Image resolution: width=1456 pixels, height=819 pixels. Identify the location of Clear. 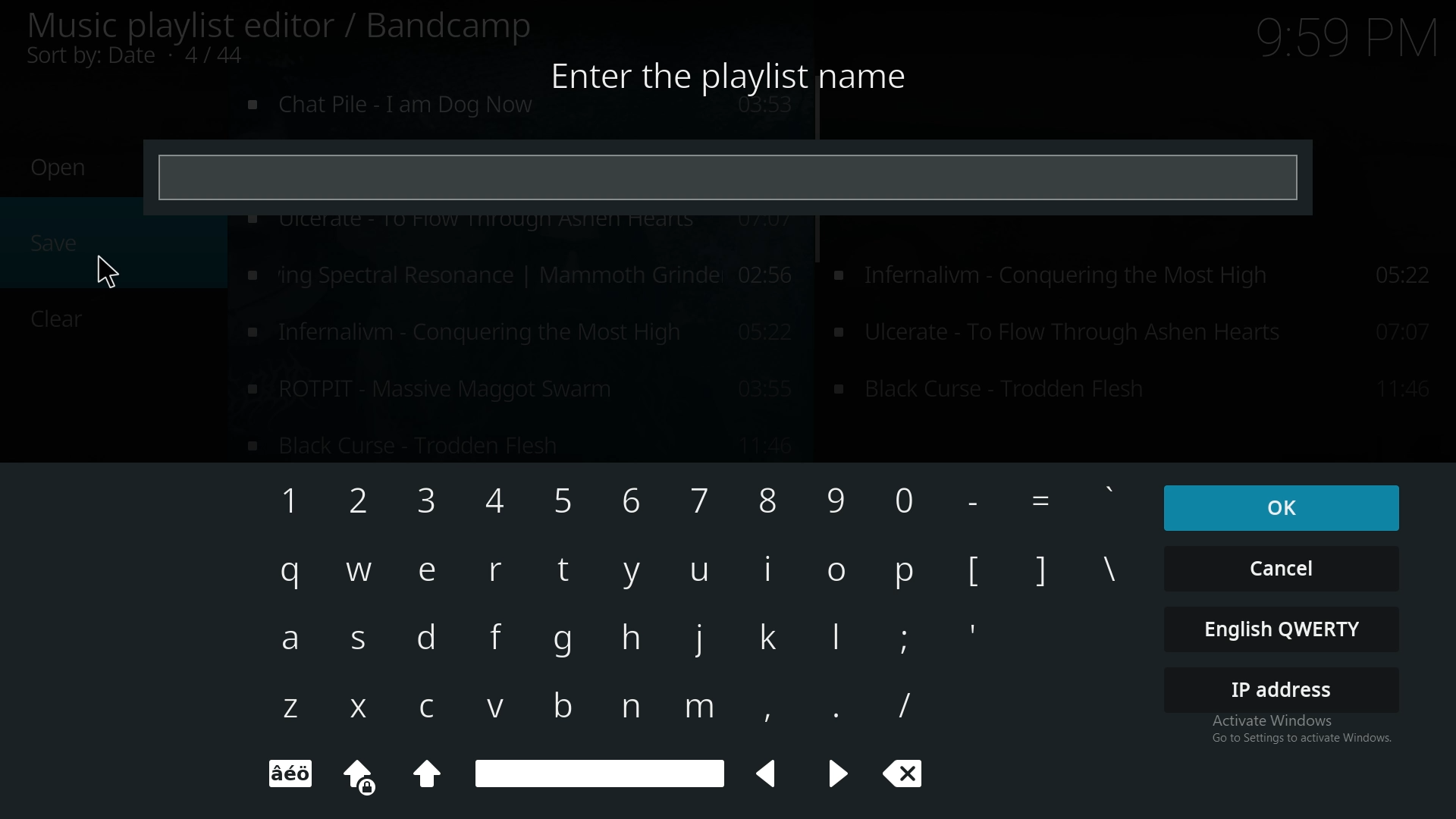
(914, 779).